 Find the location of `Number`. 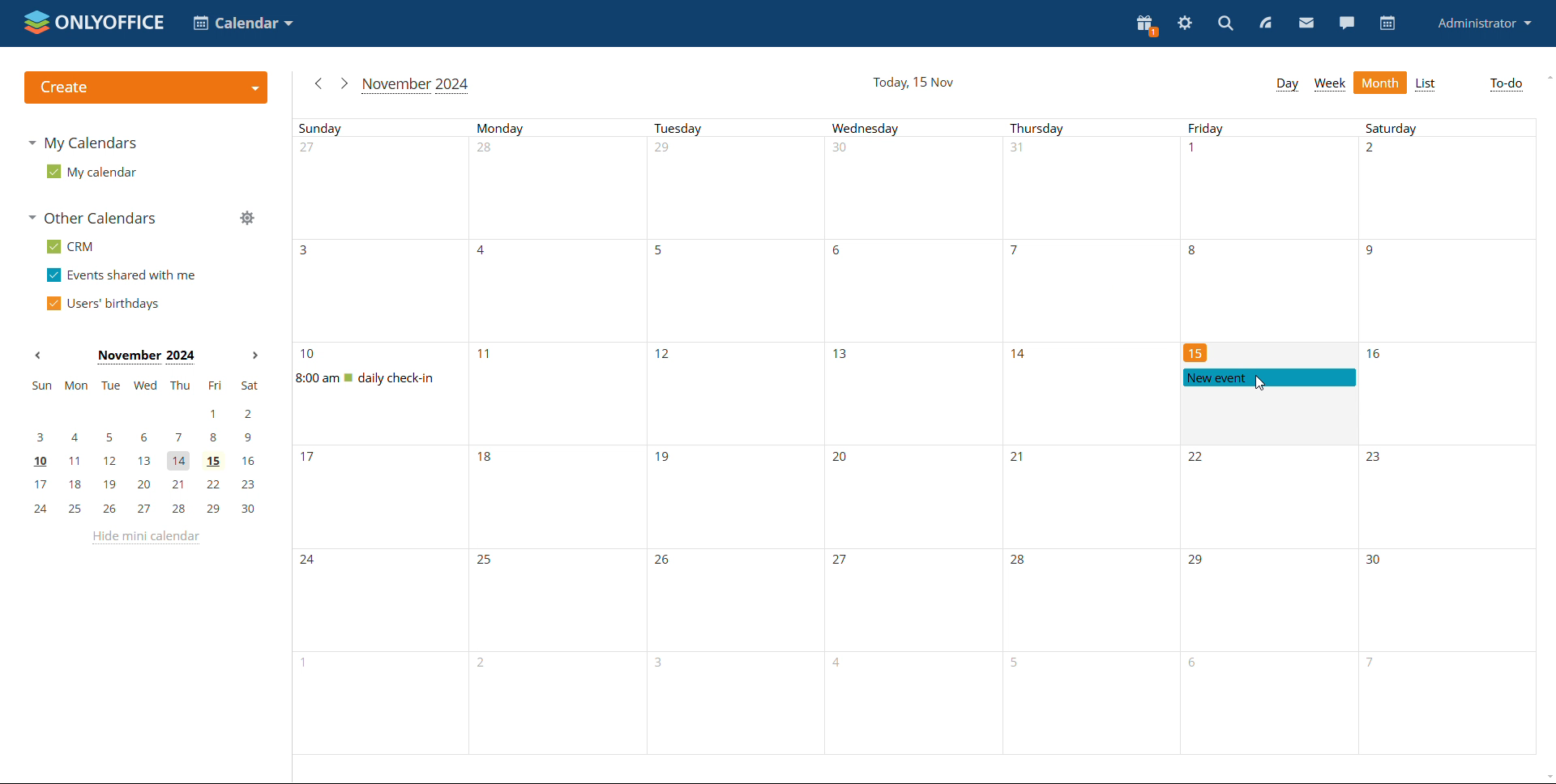

Number is located at coordinates (483, 353).